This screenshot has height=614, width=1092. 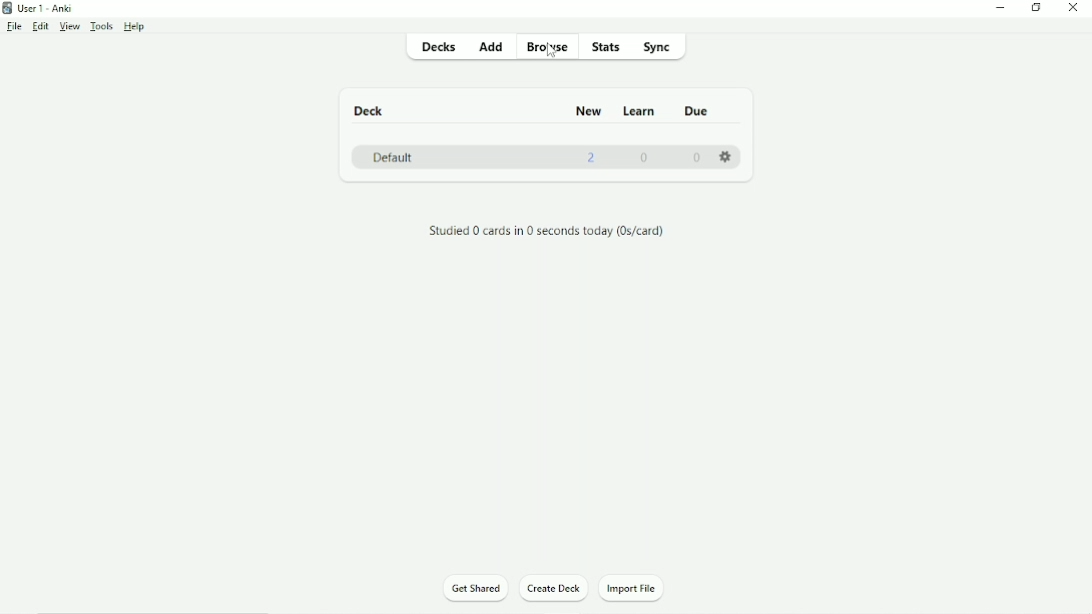 I want to click on 2, so click(x=595, y=161).